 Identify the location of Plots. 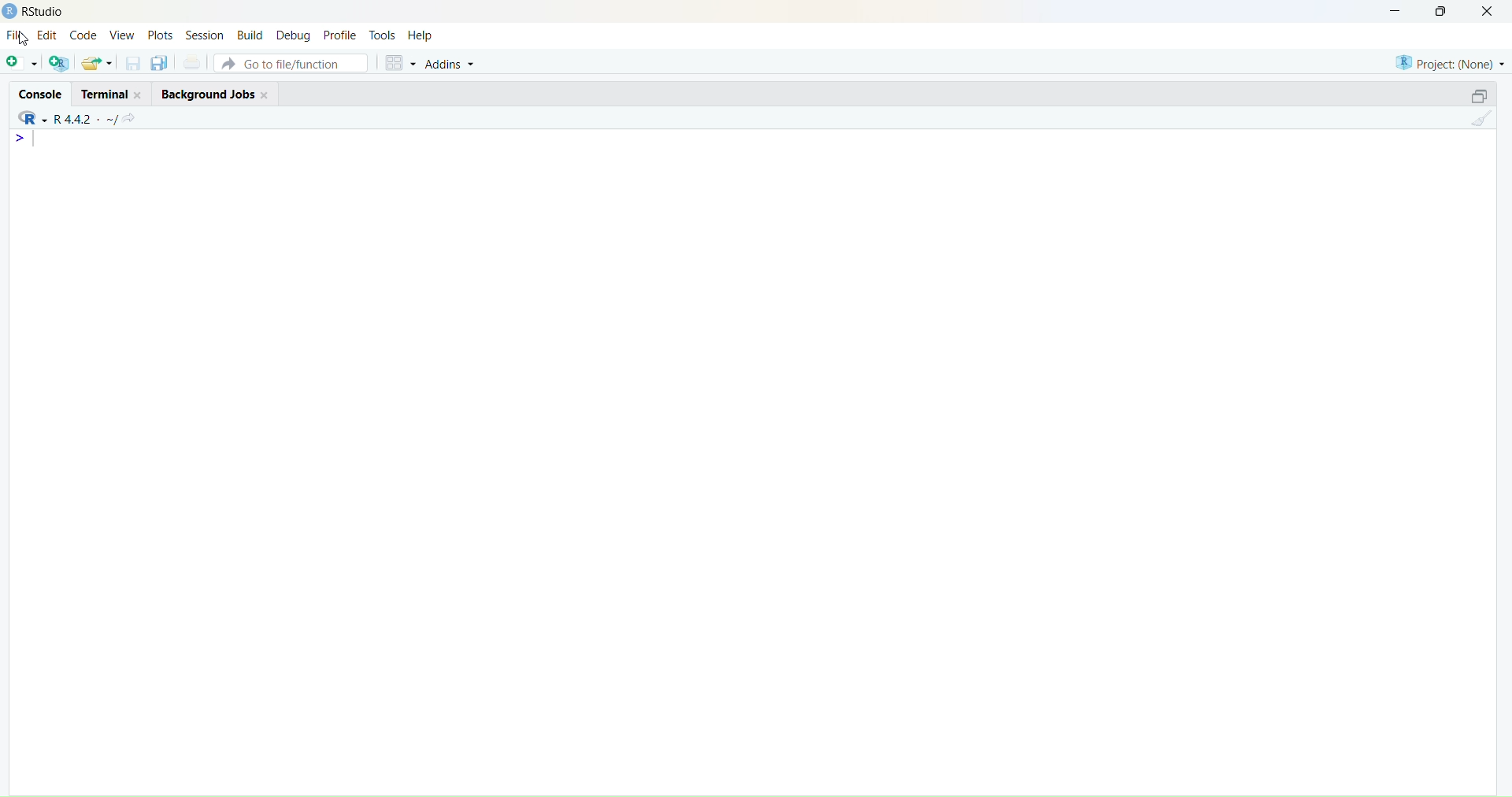
(159, 35).